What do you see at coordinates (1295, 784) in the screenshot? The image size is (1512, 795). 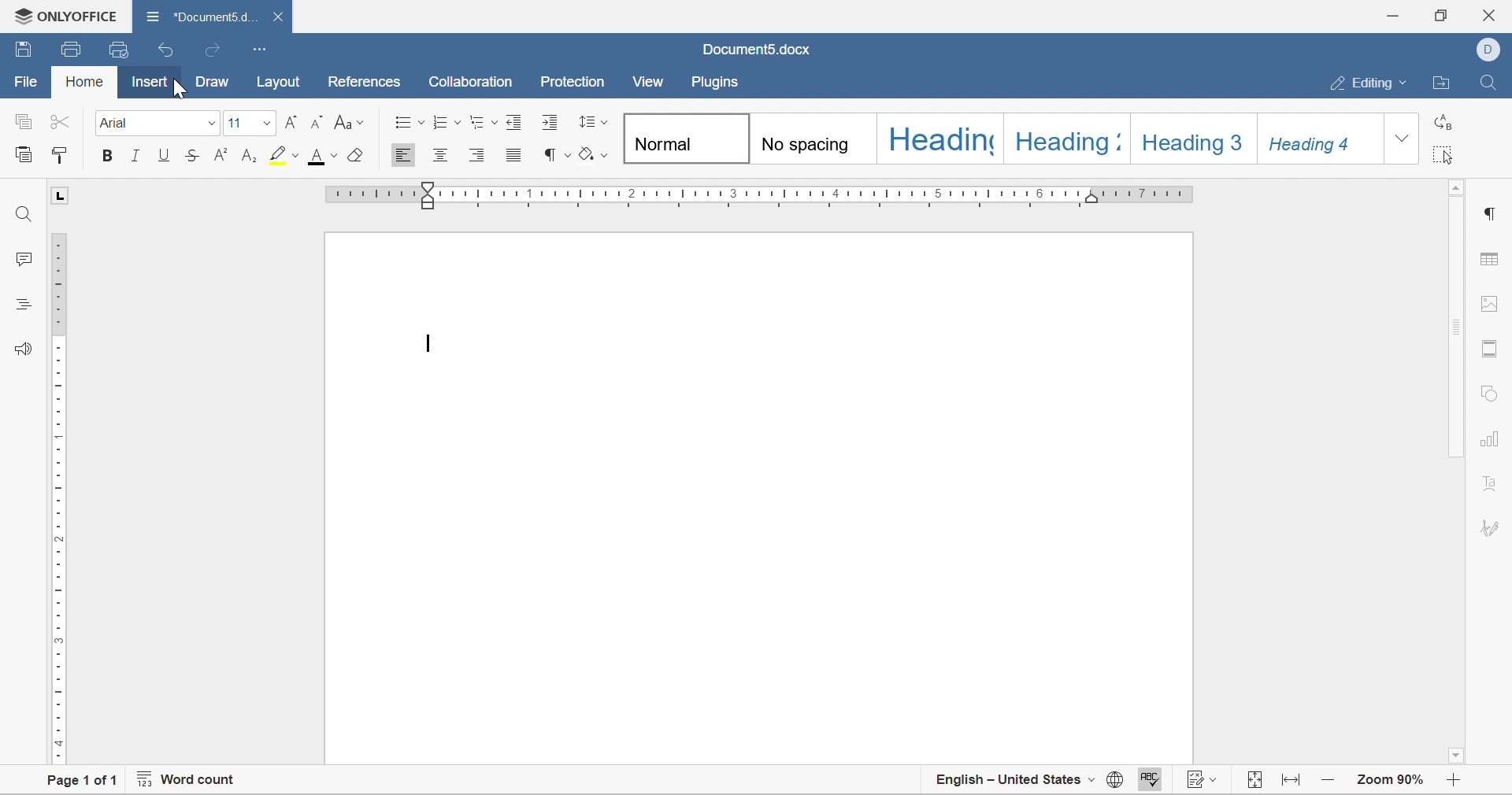 I see `fit to width` at bounding box center [1295, 784].